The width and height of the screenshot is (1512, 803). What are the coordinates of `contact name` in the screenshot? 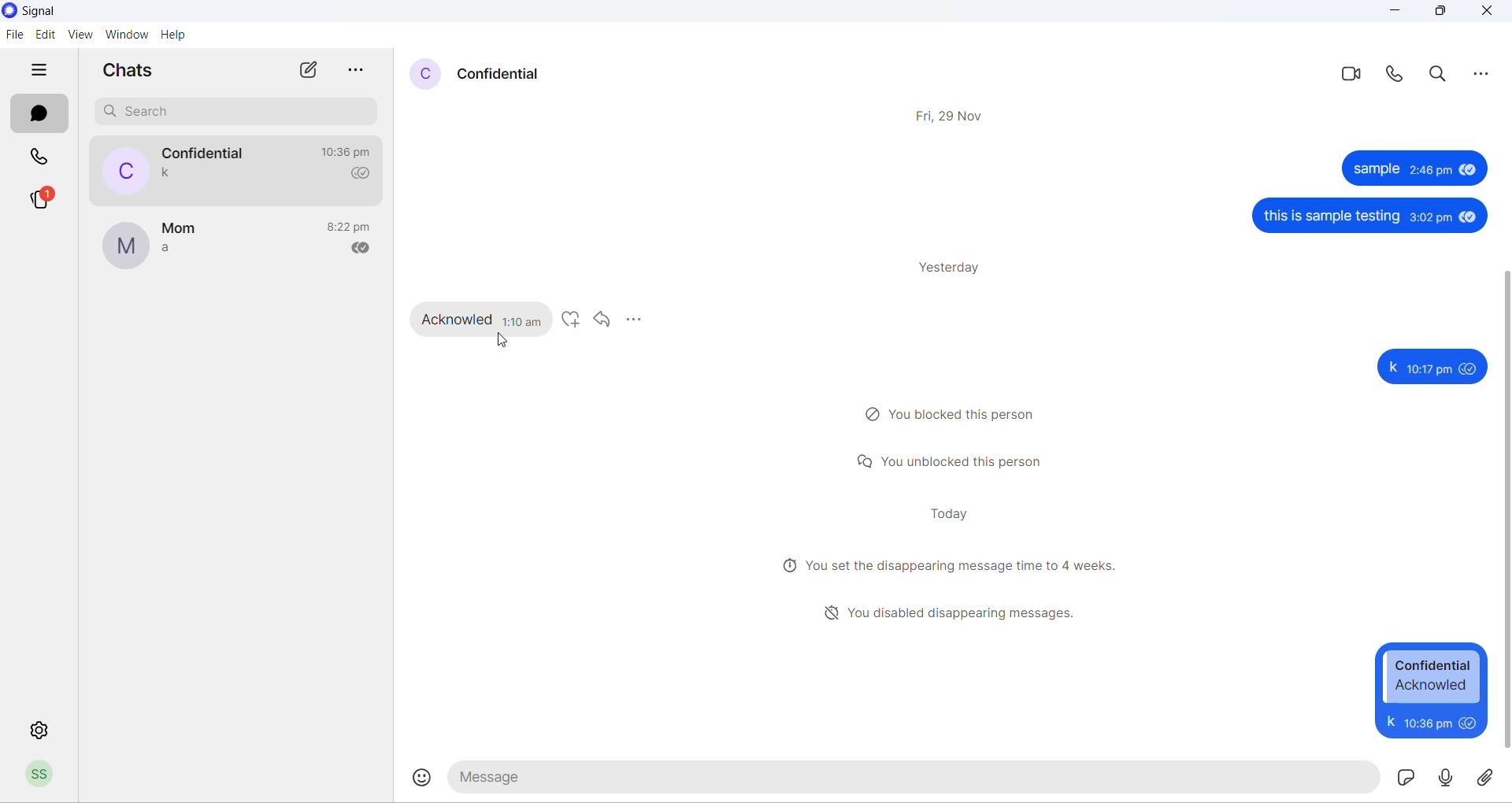 It's located at (206, 154).